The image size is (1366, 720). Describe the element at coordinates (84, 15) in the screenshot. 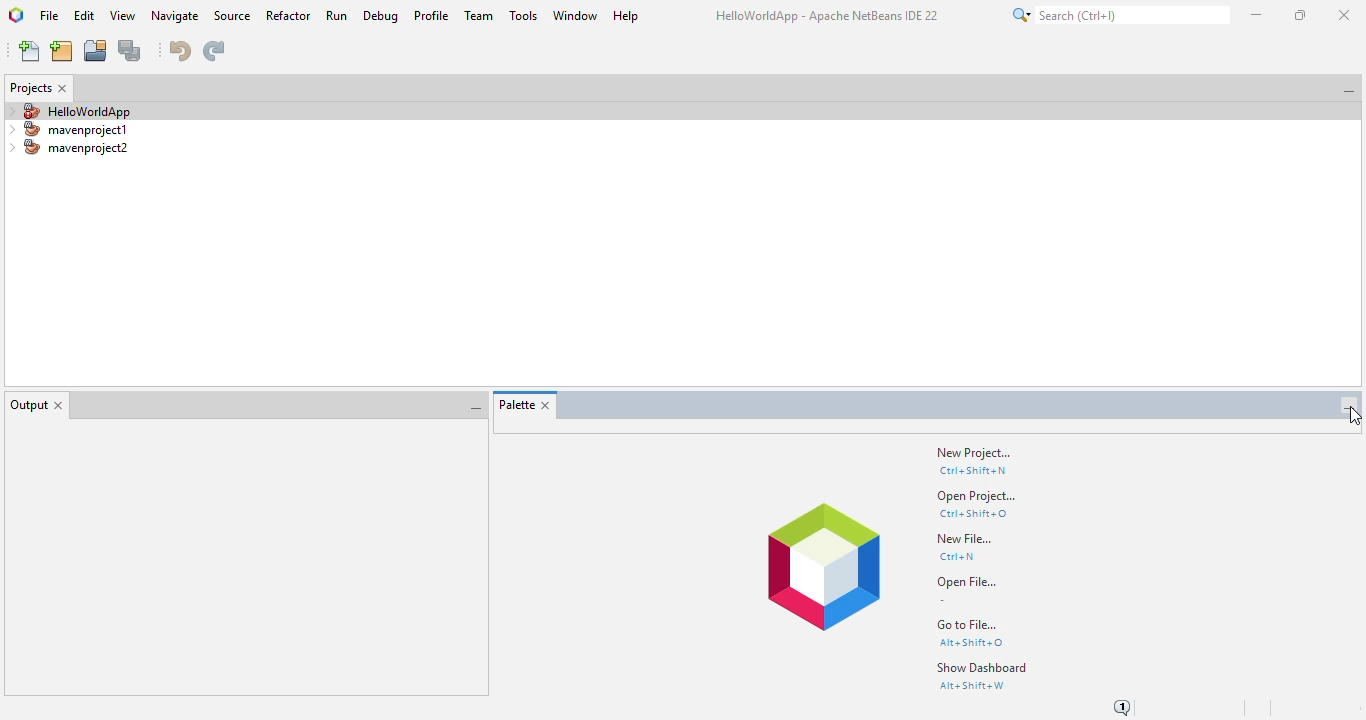

I see `edit` at that location.